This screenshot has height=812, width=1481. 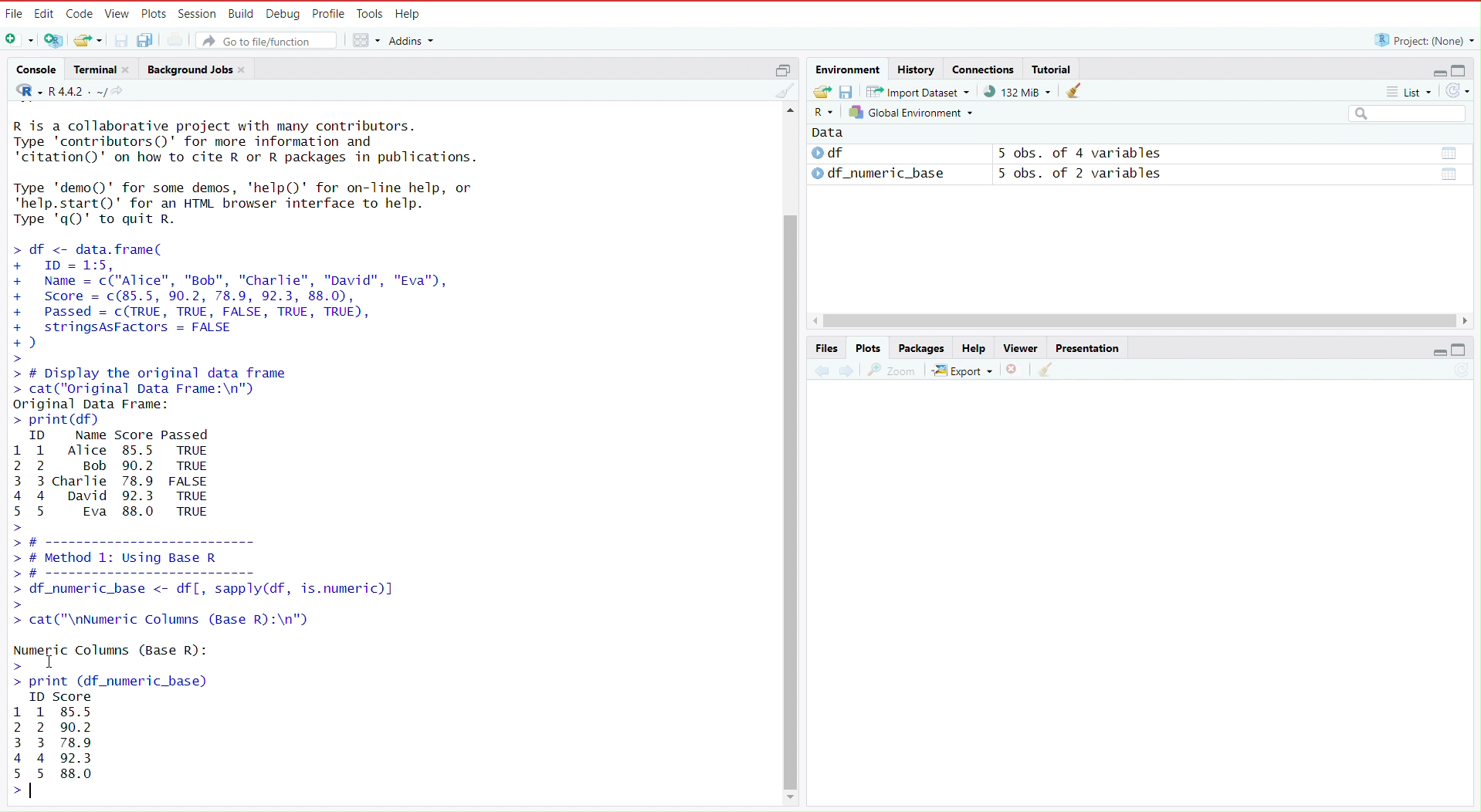 What do you see at coordinates (973, 347) in the screenshot?
I see `Help` at bounding box center [973, 347].